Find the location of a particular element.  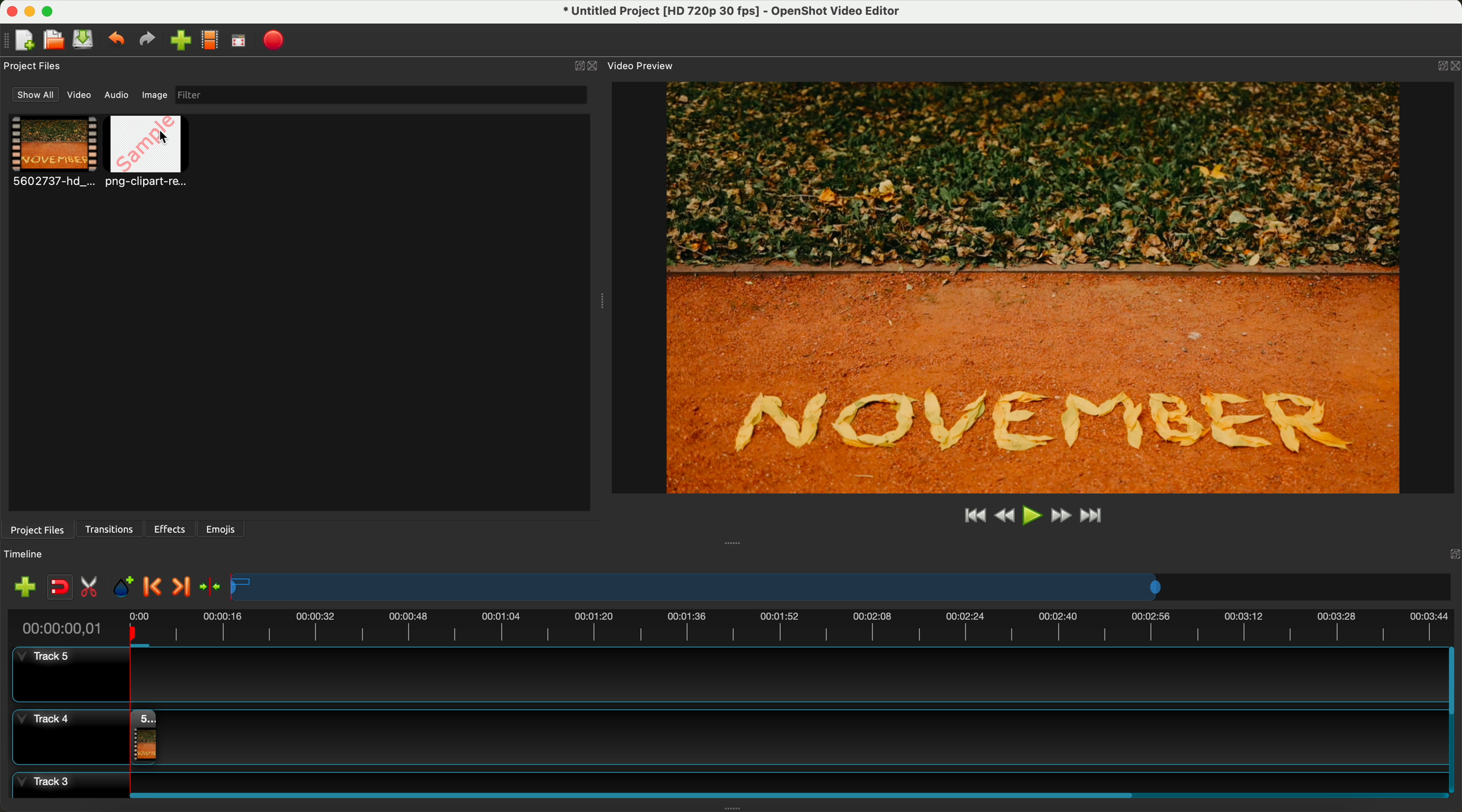

jump to start is located at coordinates (975, 516).